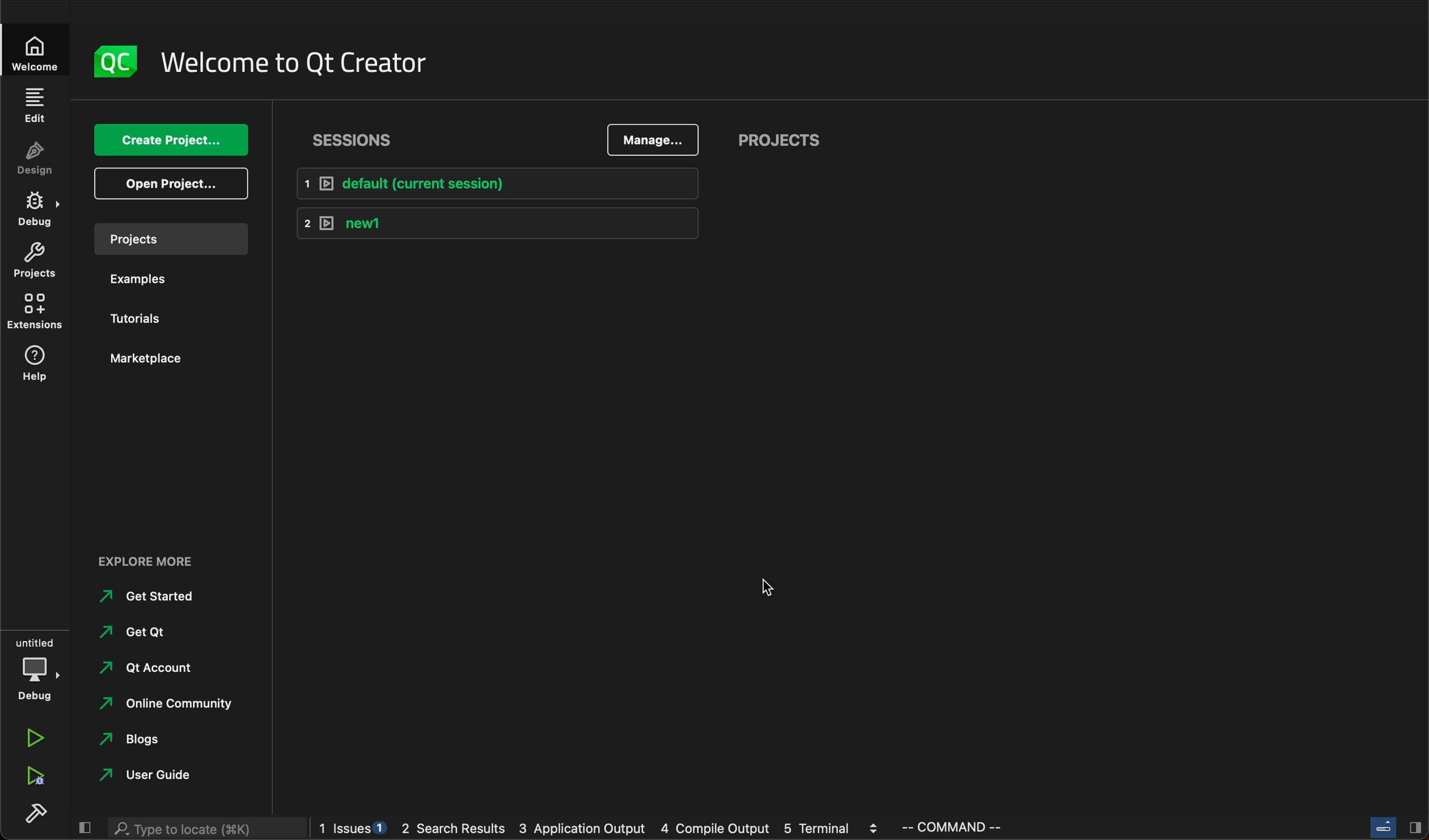 The image size is (1429, 840). Describe the element at coordinates (168, 139) in the screenshot. I see `create` at that location.